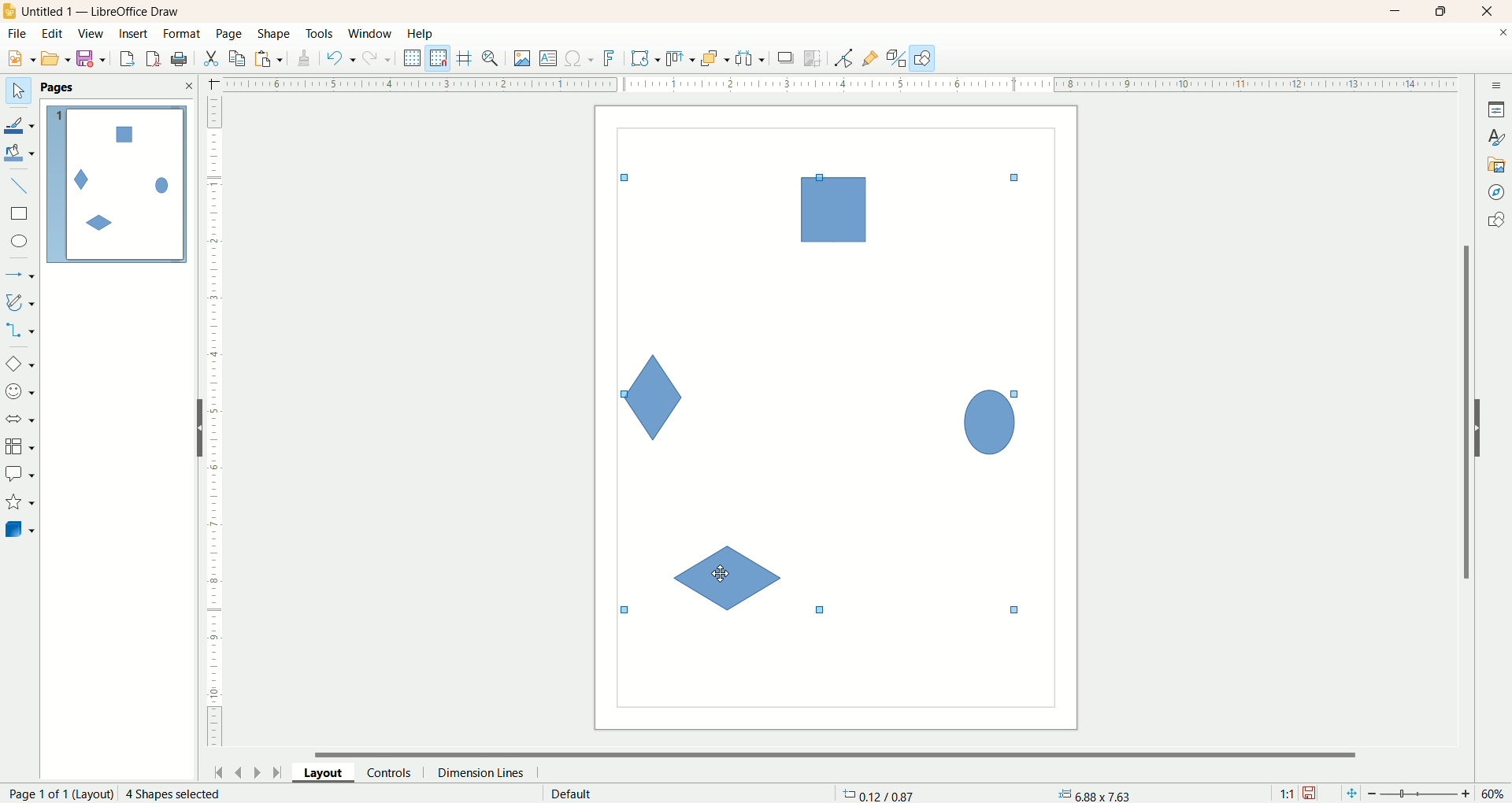 Image resolution: width=1512 pixels, height=803 pixels. I want to click on close, so click(1491, 12).